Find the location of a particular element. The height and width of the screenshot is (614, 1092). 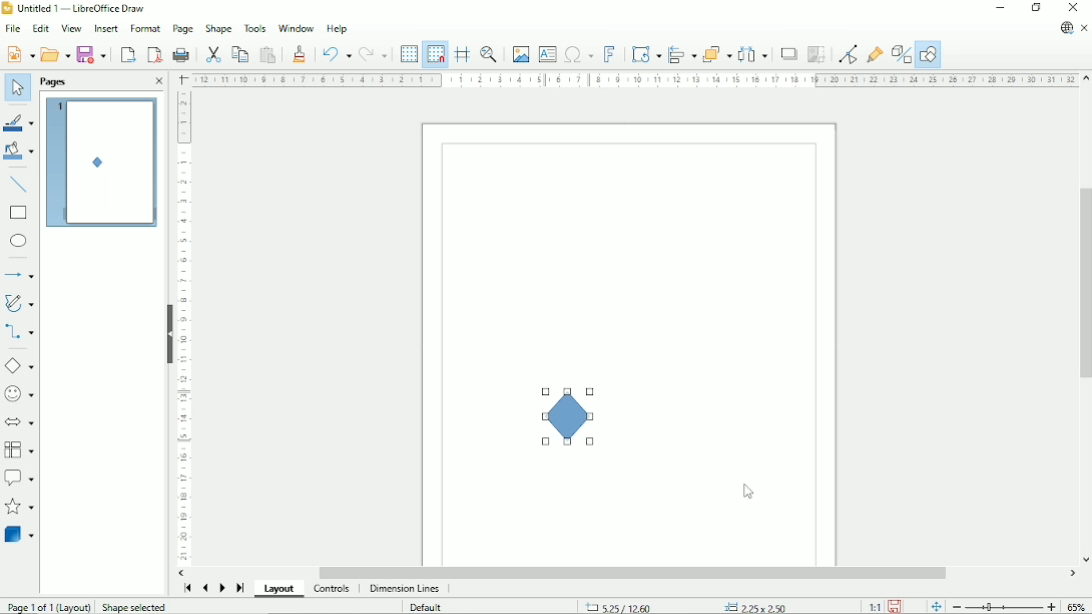

Controls is located at coordinates (333, 589).